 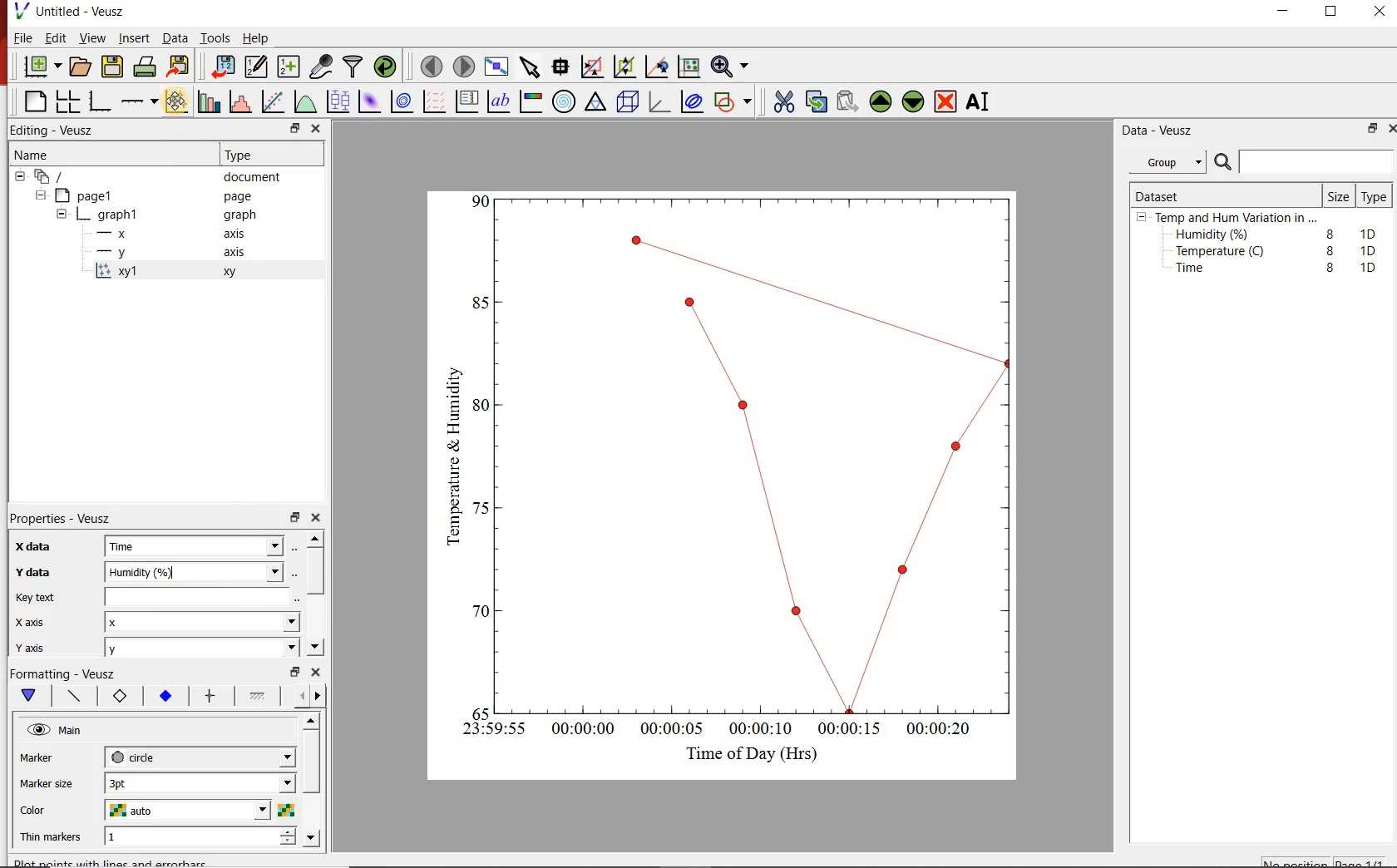 What do you see at coordinates (758, 451) in the screenshot?
I see `Graph` at bounding box center [758, 451].